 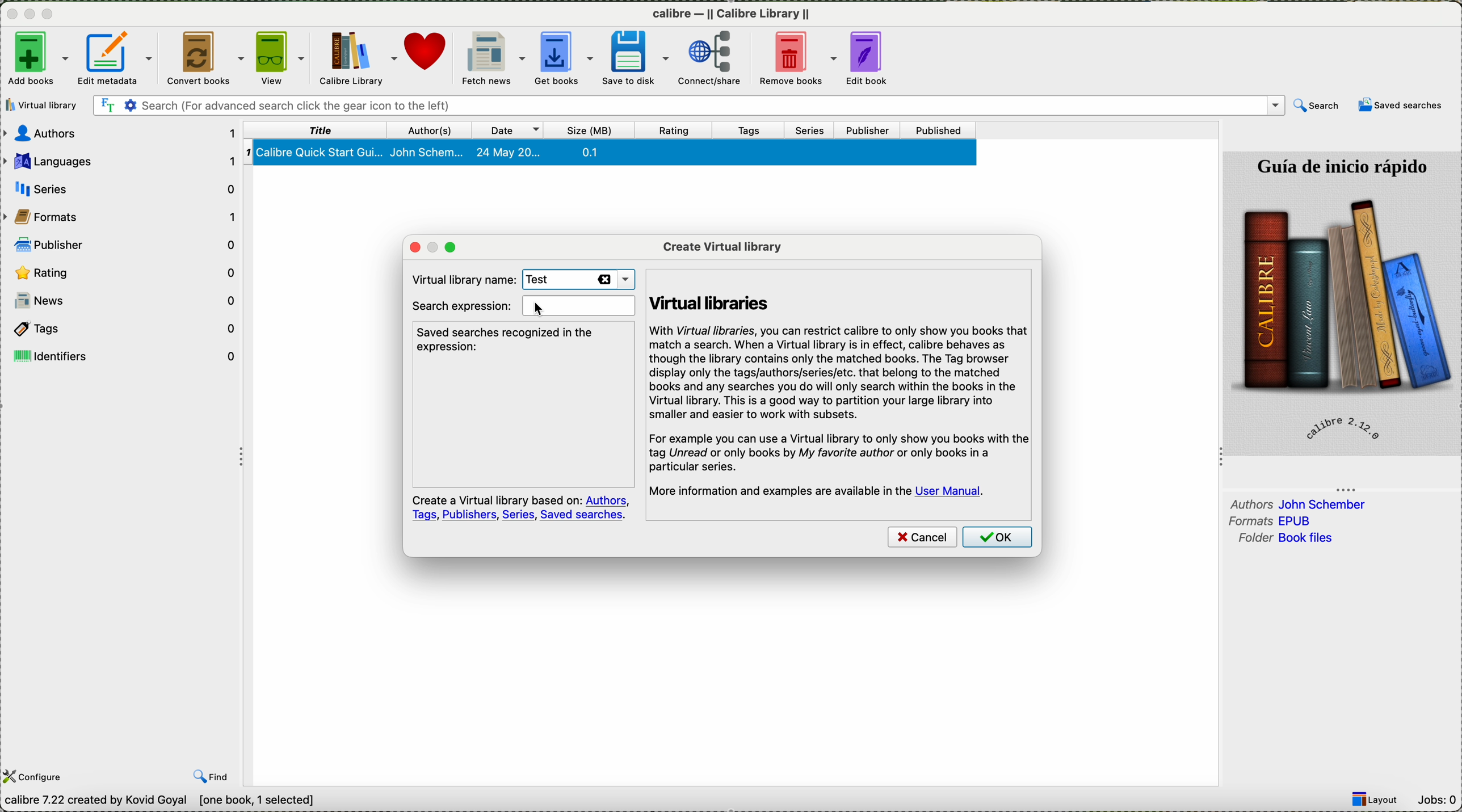 What do you see at coordinates (540, 309) in the screenshot?
I see `click` at bounding box center [540, 309].